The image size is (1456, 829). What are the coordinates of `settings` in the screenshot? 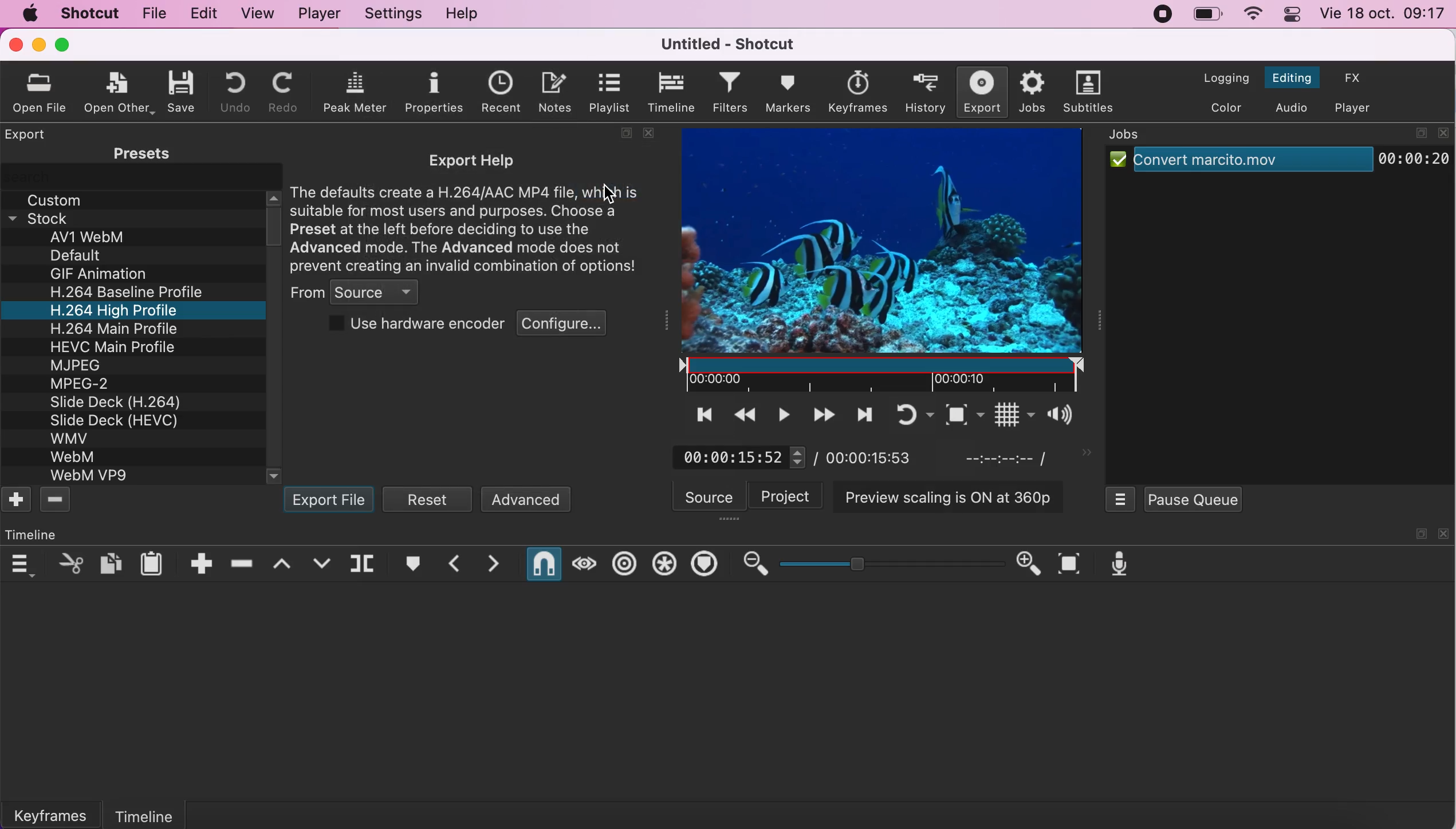 It's located at (391, 14).